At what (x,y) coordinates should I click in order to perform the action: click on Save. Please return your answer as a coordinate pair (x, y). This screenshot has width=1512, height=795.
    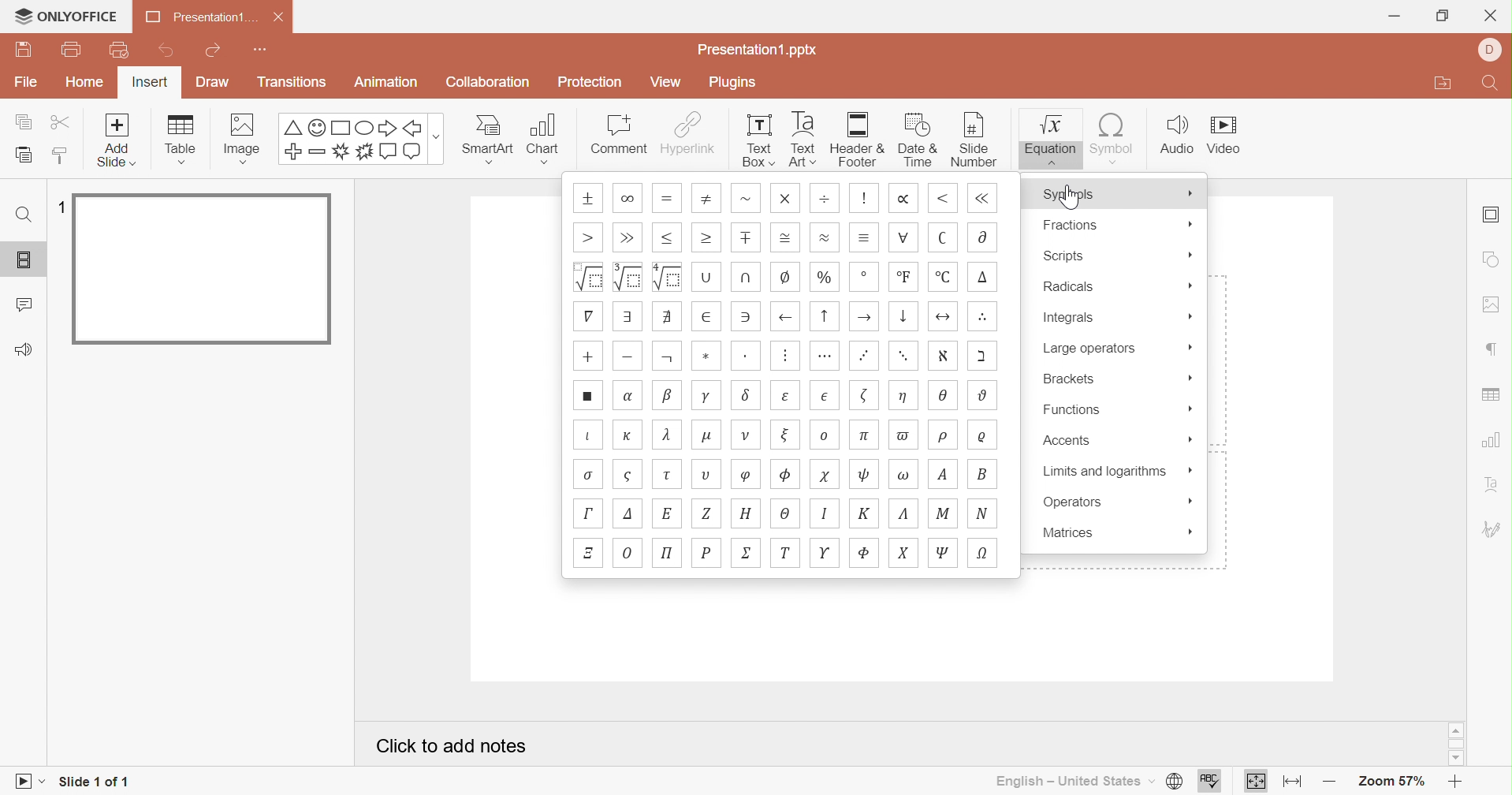
    Looking at the image, I should click on (34, 49).